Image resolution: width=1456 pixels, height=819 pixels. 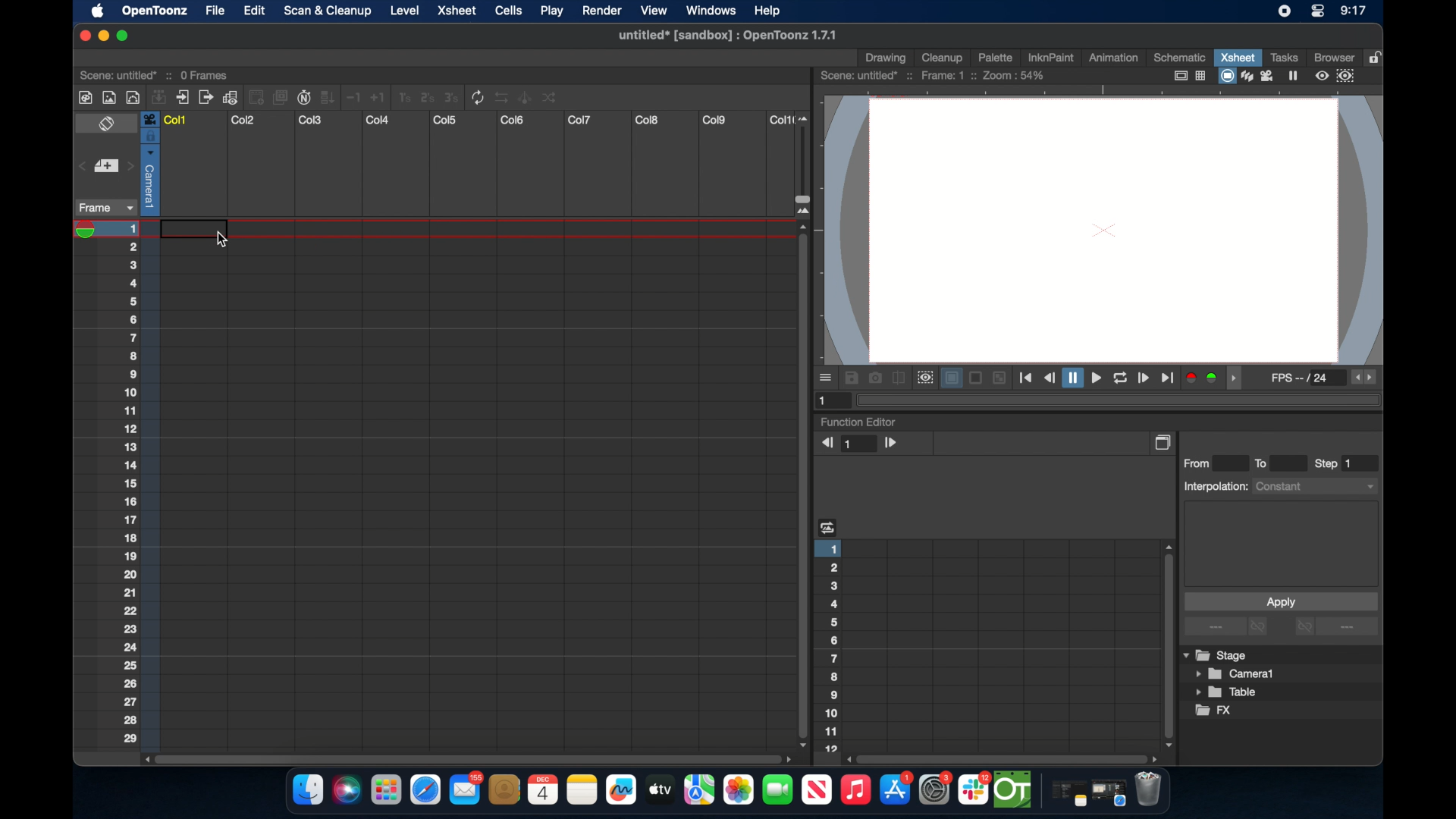 I want to click on opnetoonz, so click(x=153, y=11).